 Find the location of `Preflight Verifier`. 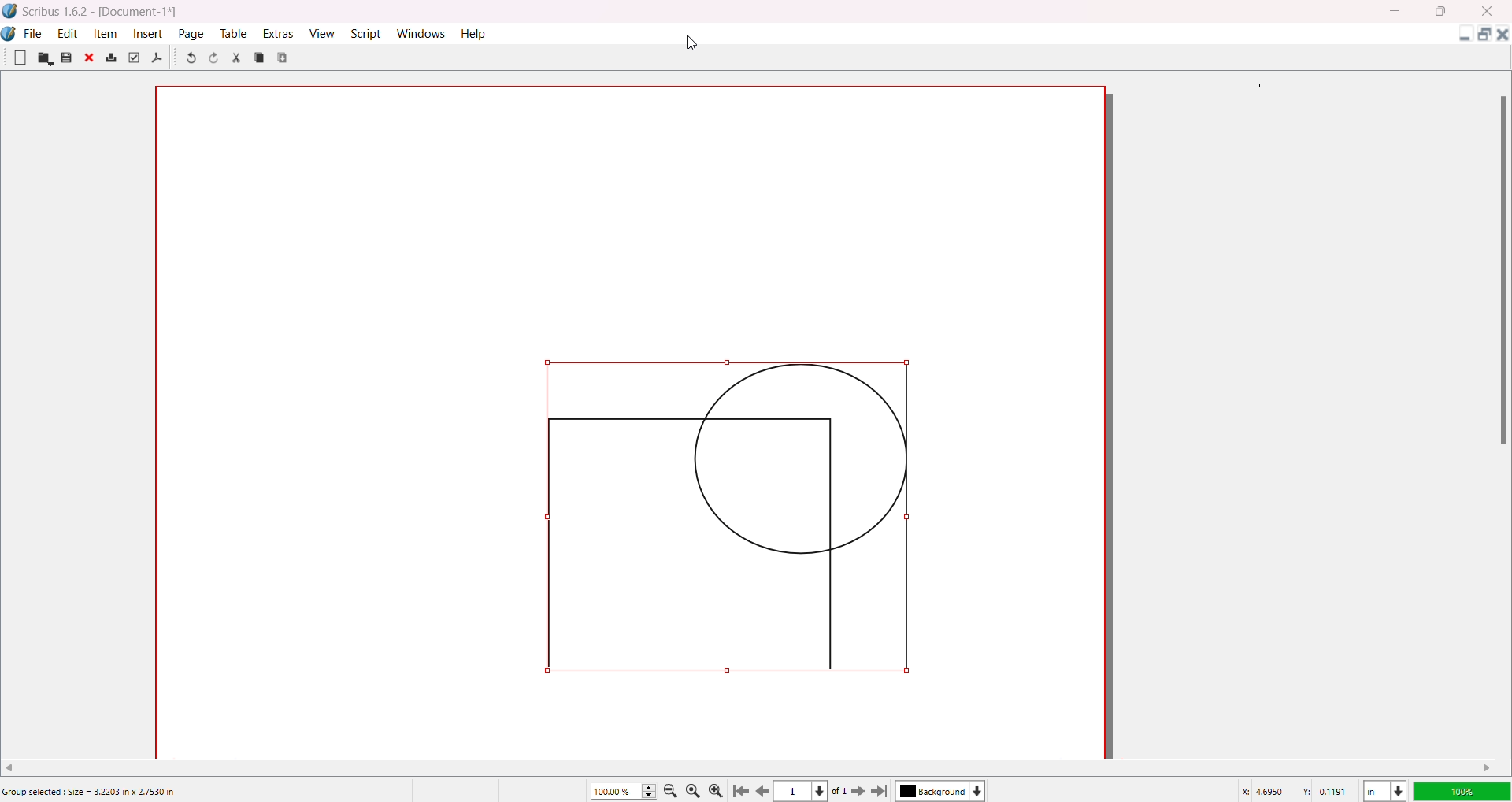

Preflight Verifier is located at coordinates (133, 58).